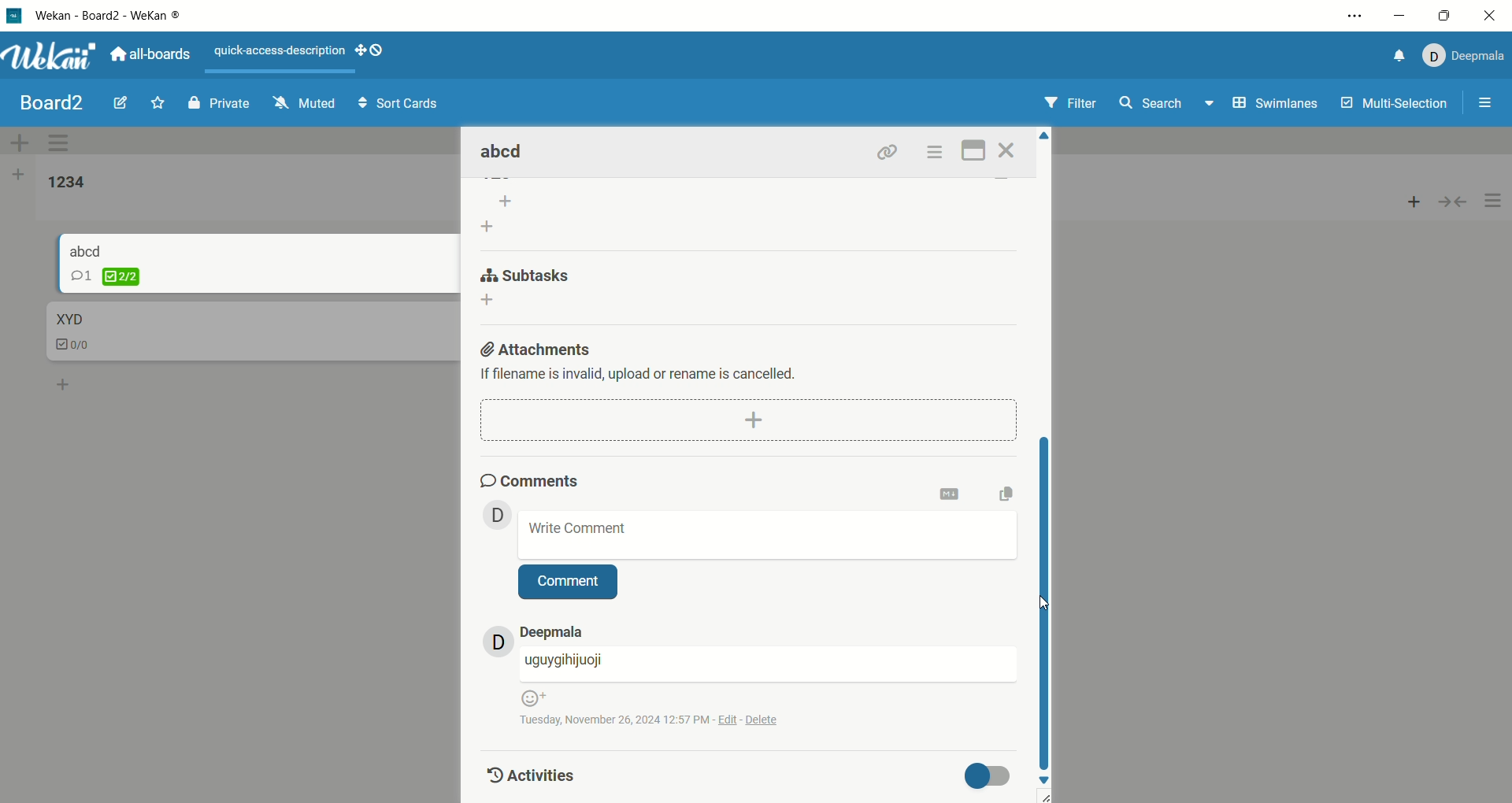  Describe the element at coordinates (552, 632) in the screenshot. I see `account` at that location.